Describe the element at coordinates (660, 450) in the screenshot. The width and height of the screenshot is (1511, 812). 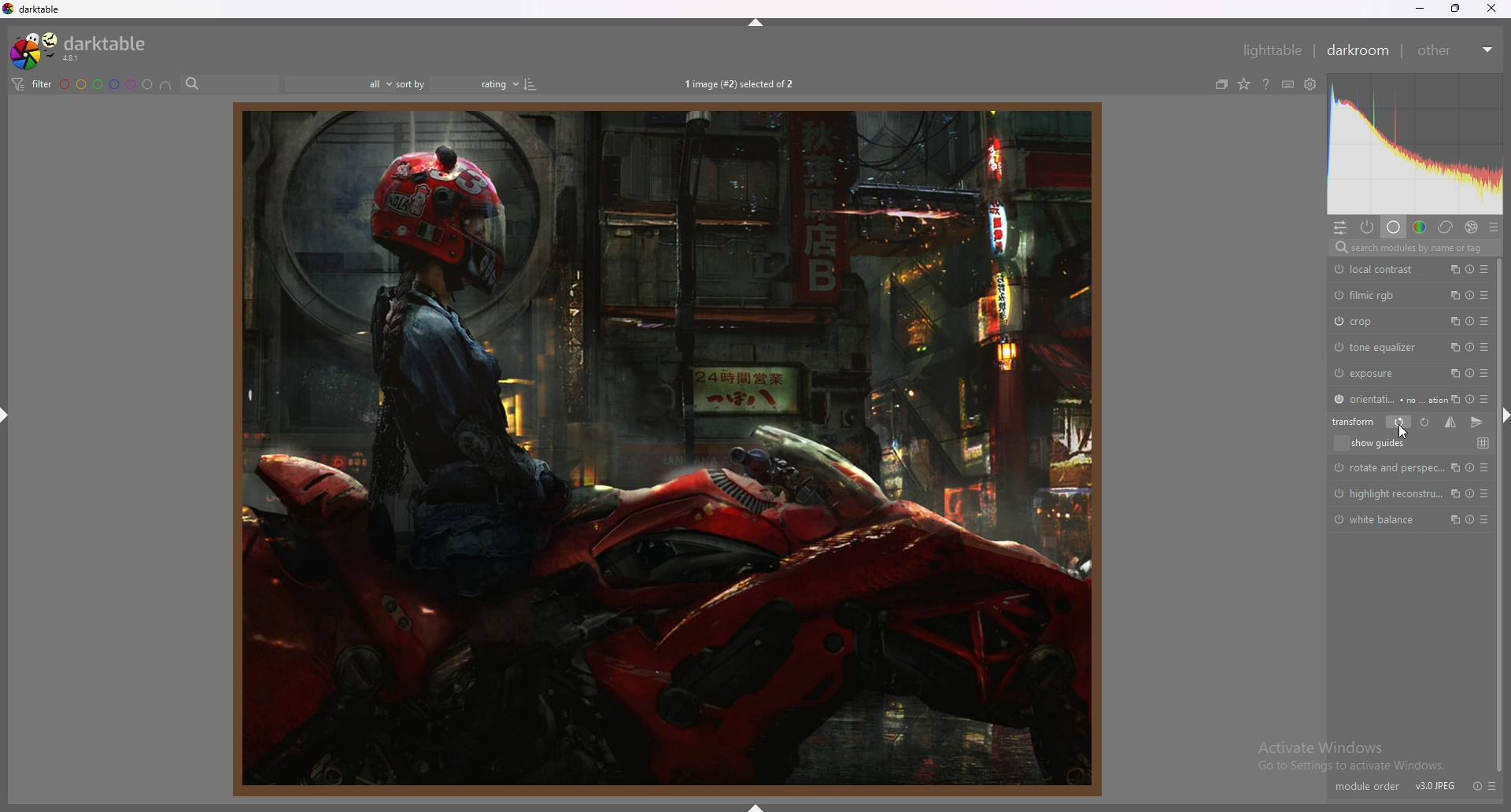
I see `image` at that location.